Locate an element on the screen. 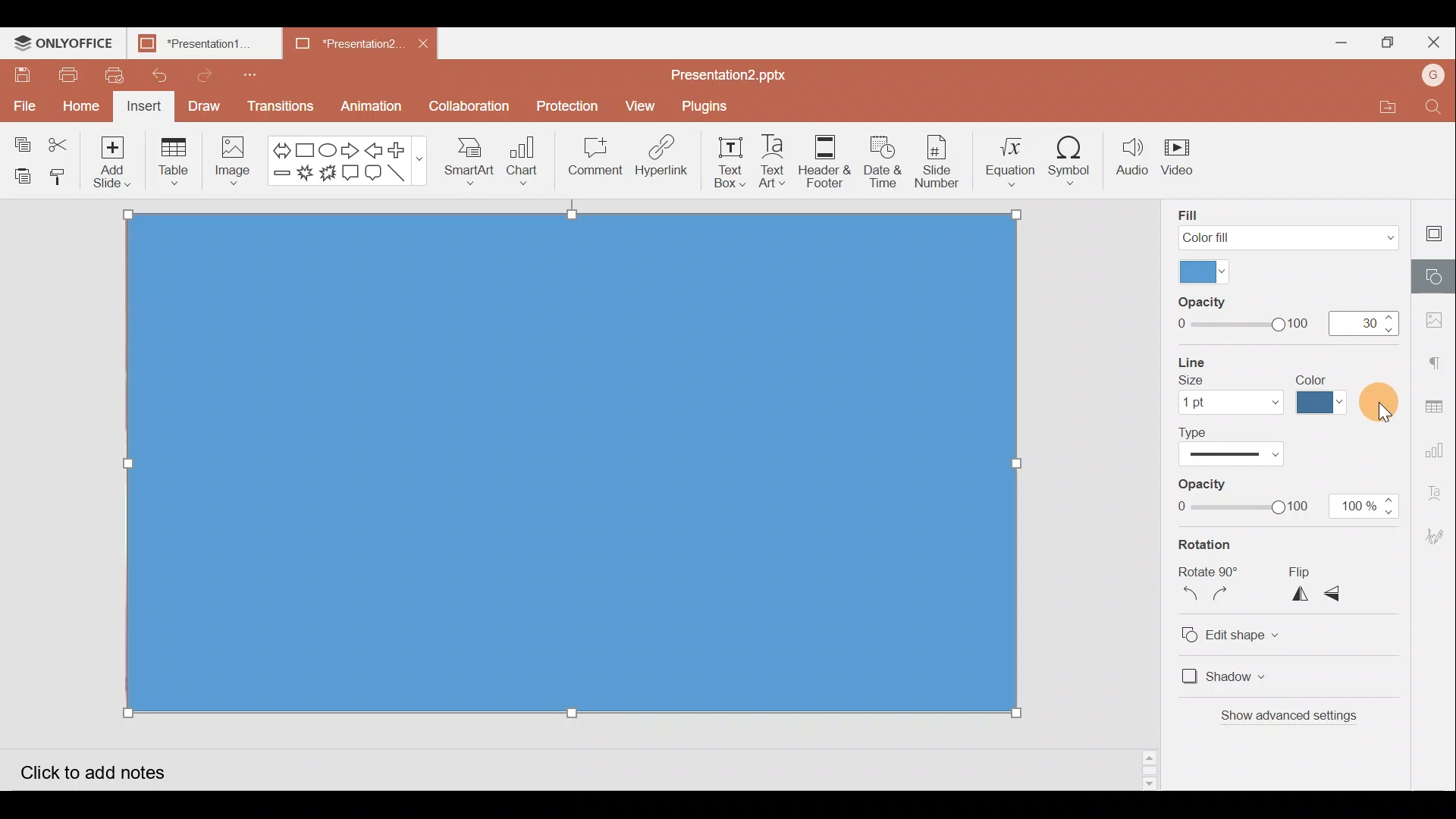 The height and width of the screenshot is (819, 1456). Transitions is located at coordinates (279, 106).